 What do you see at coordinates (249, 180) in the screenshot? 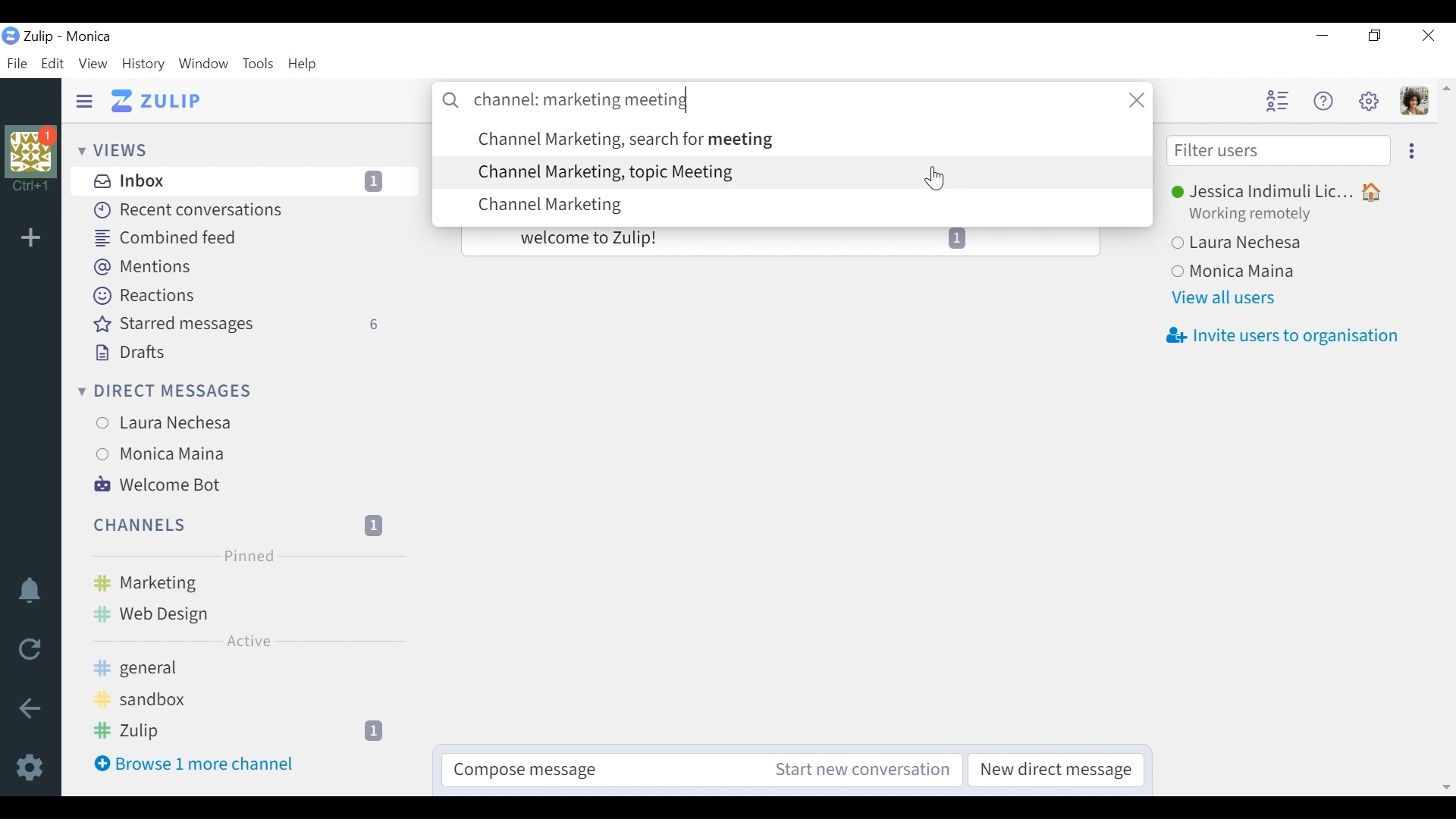
I see `Inbox` at bounding box center [249, 180].